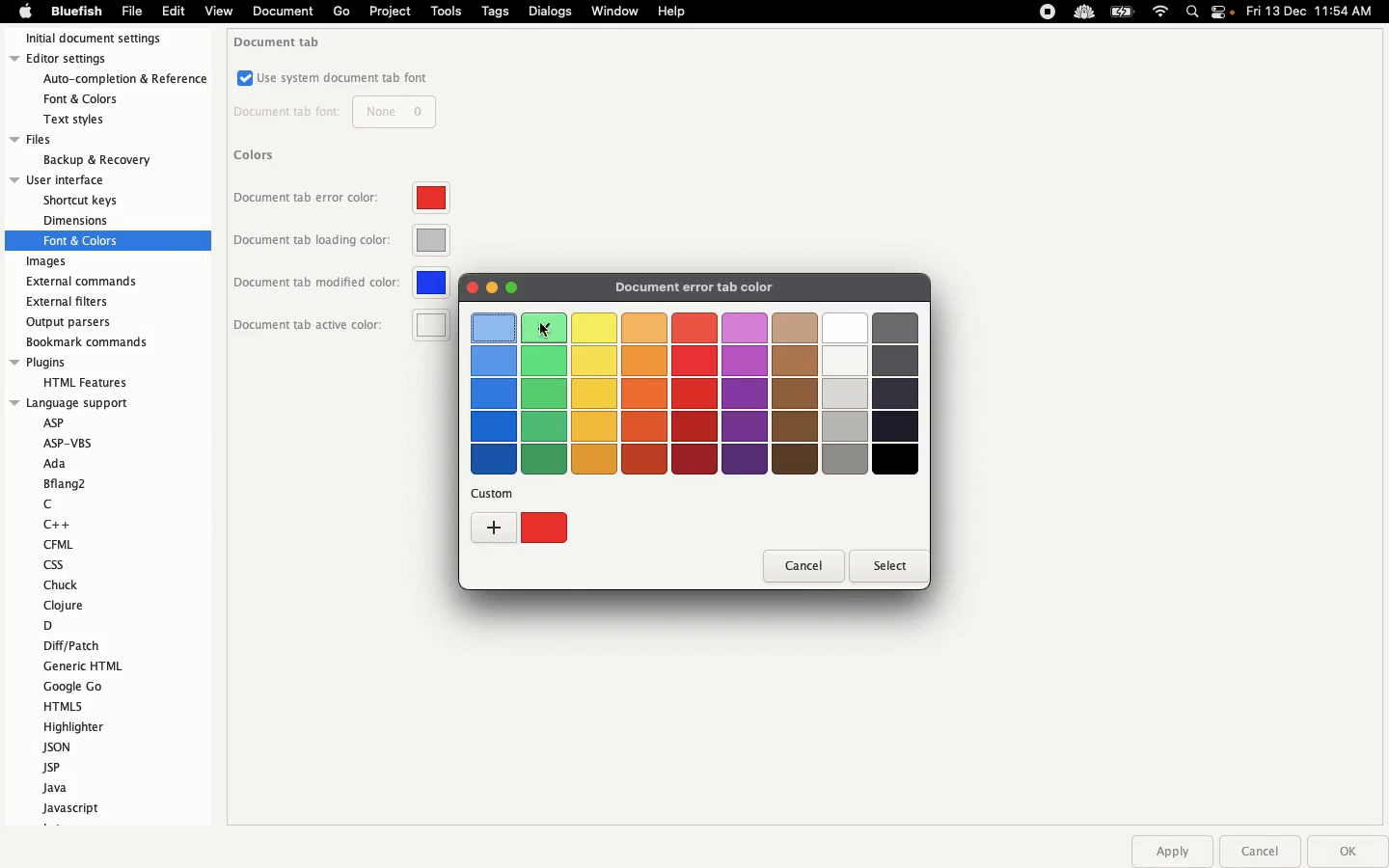 The width and height of the screenshot is (1389, 868). What do you see at coordinates (82, 202) in the screenshot?
I see `shortcut keys` at bounding box center [82, 202].